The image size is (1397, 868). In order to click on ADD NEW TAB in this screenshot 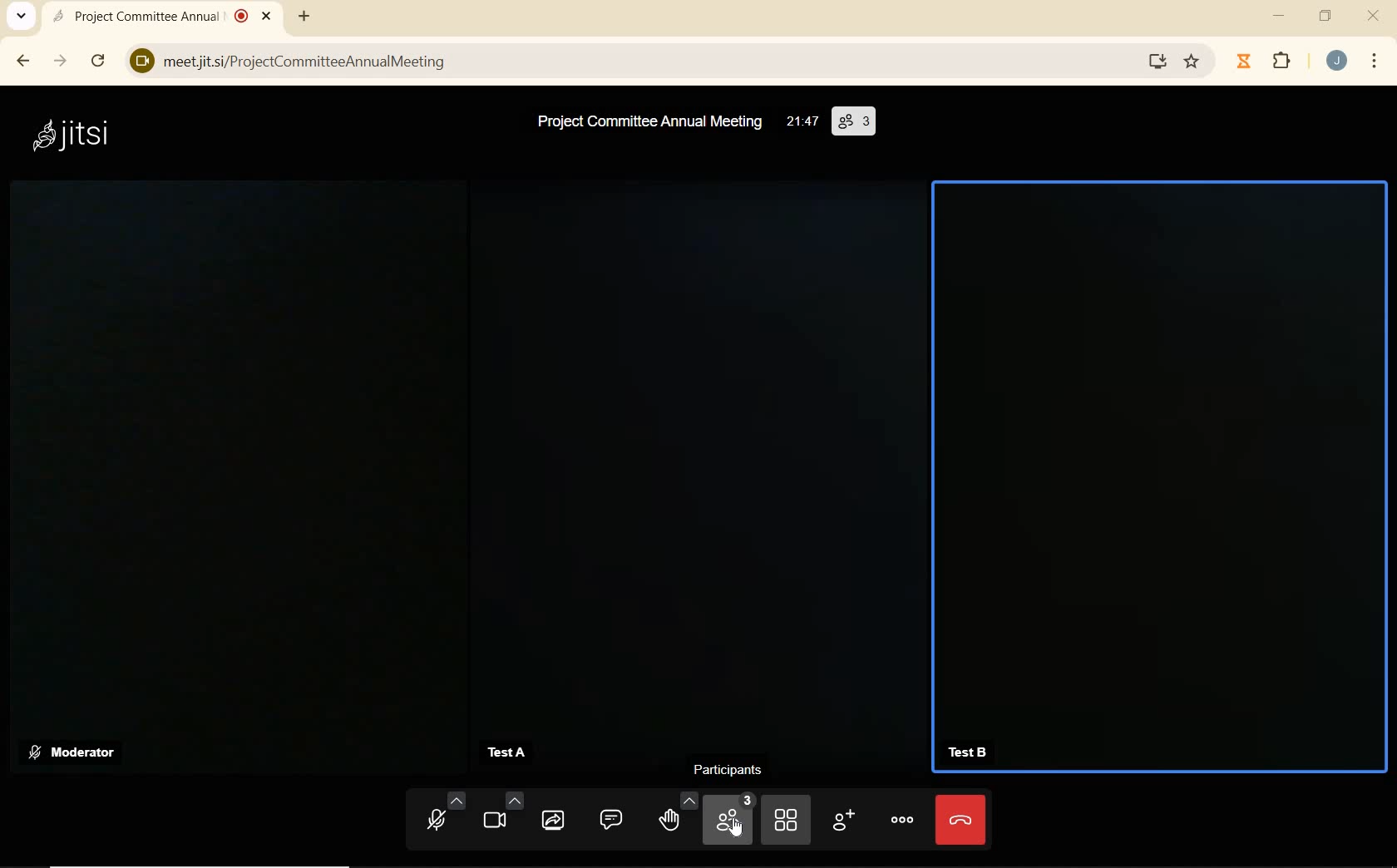, I will do `click(303, 16)`.